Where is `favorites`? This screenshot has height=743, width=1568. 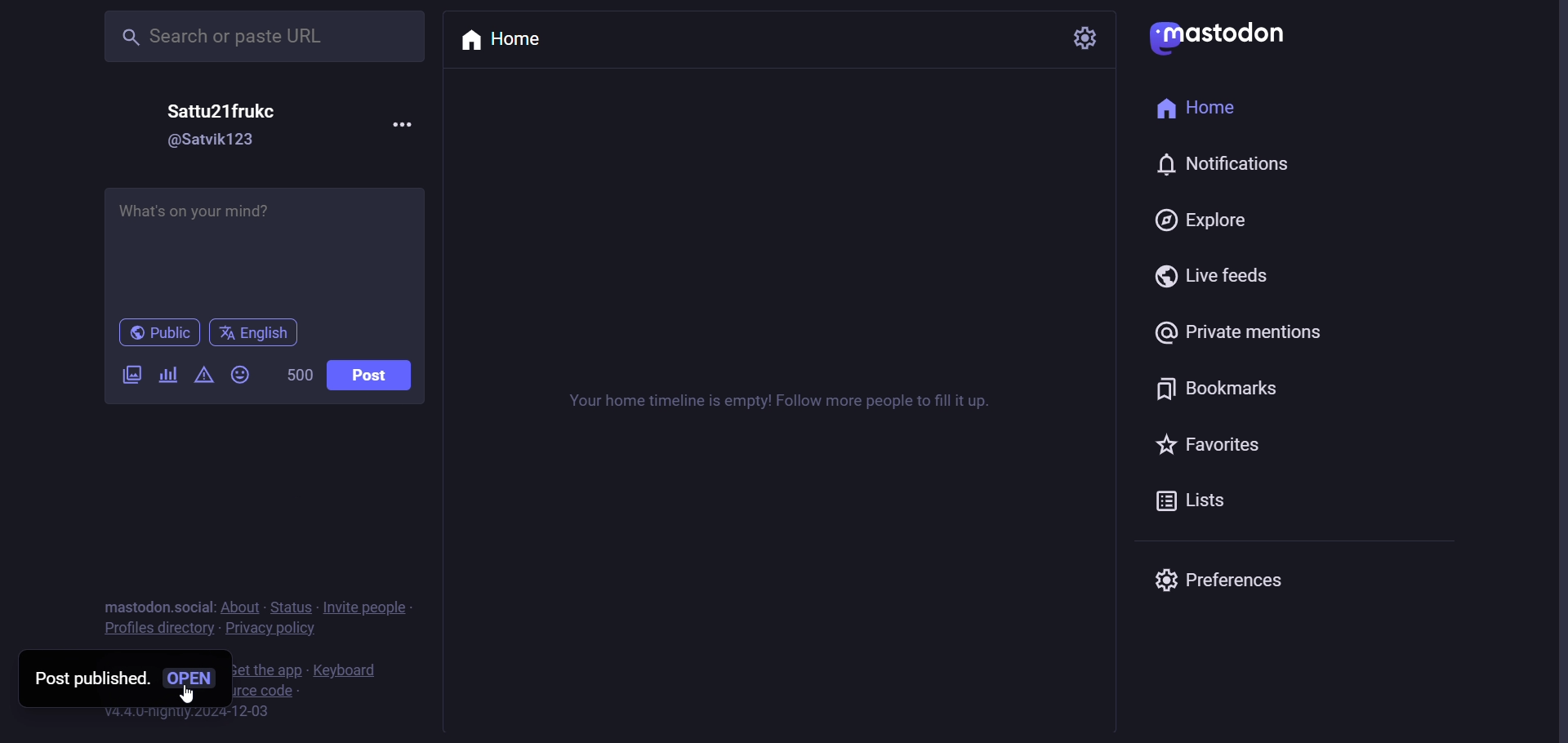
favorites is located at coordinates (1210, 447).